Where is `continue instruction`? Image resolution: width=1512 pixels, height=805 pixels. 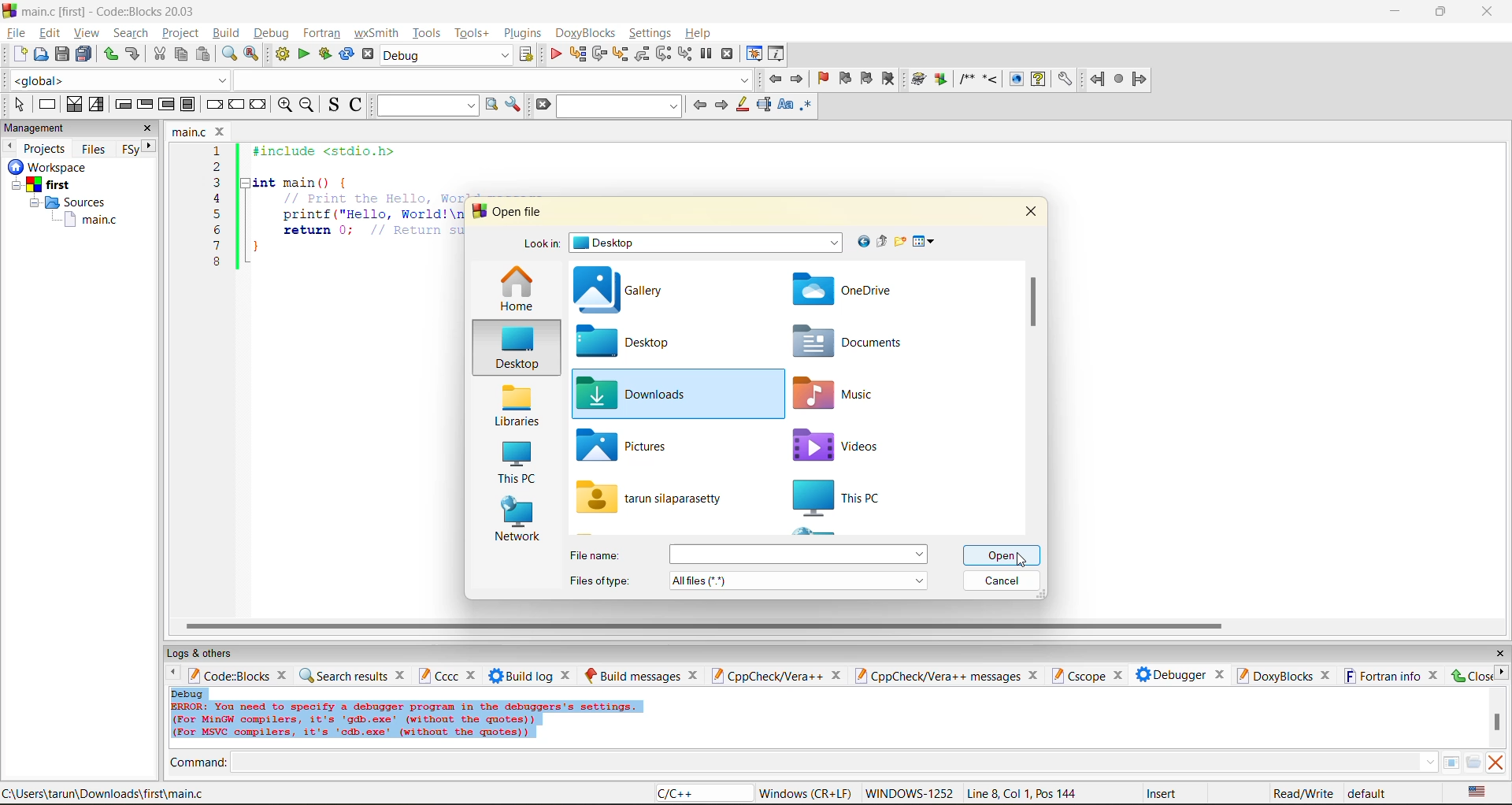 continue instruction is located at coordinates (235, 106).